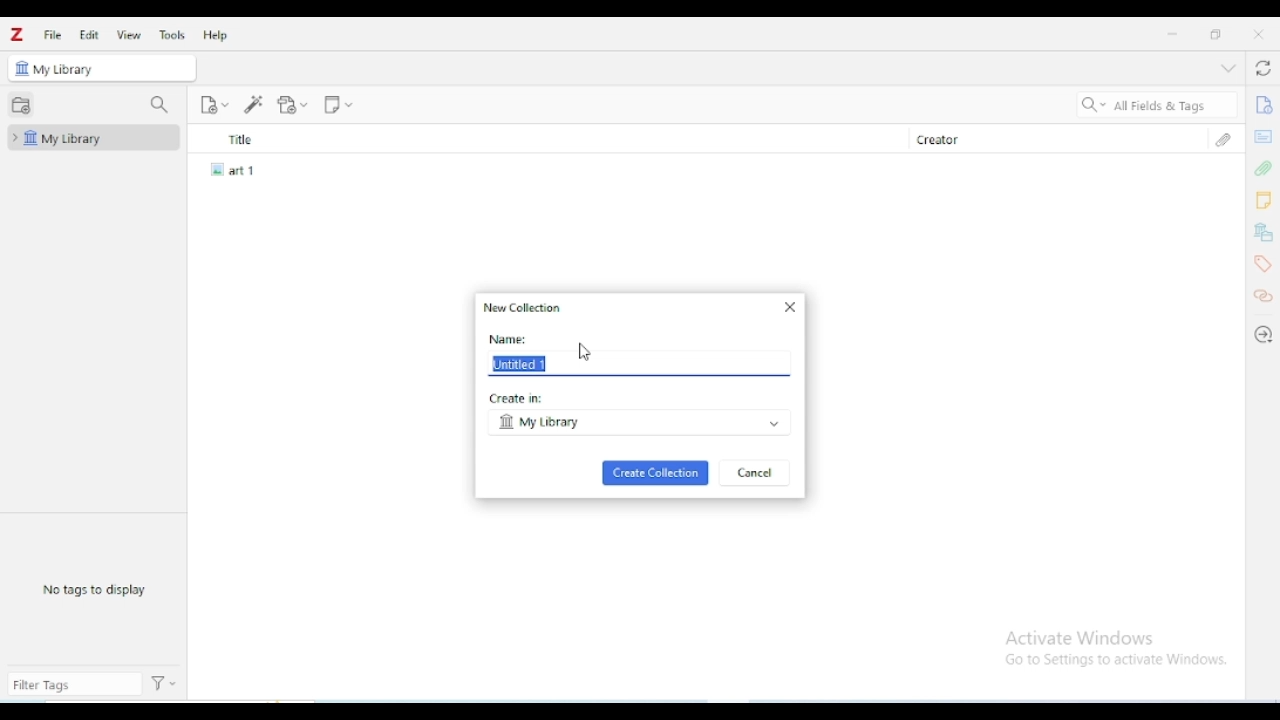 Image resolution: width=1280 pixels, height=720 pixels. Describe the element at coordinates (1119, 660) in the screenshot. I see `Go to Settings to activate Windows.` at that location.